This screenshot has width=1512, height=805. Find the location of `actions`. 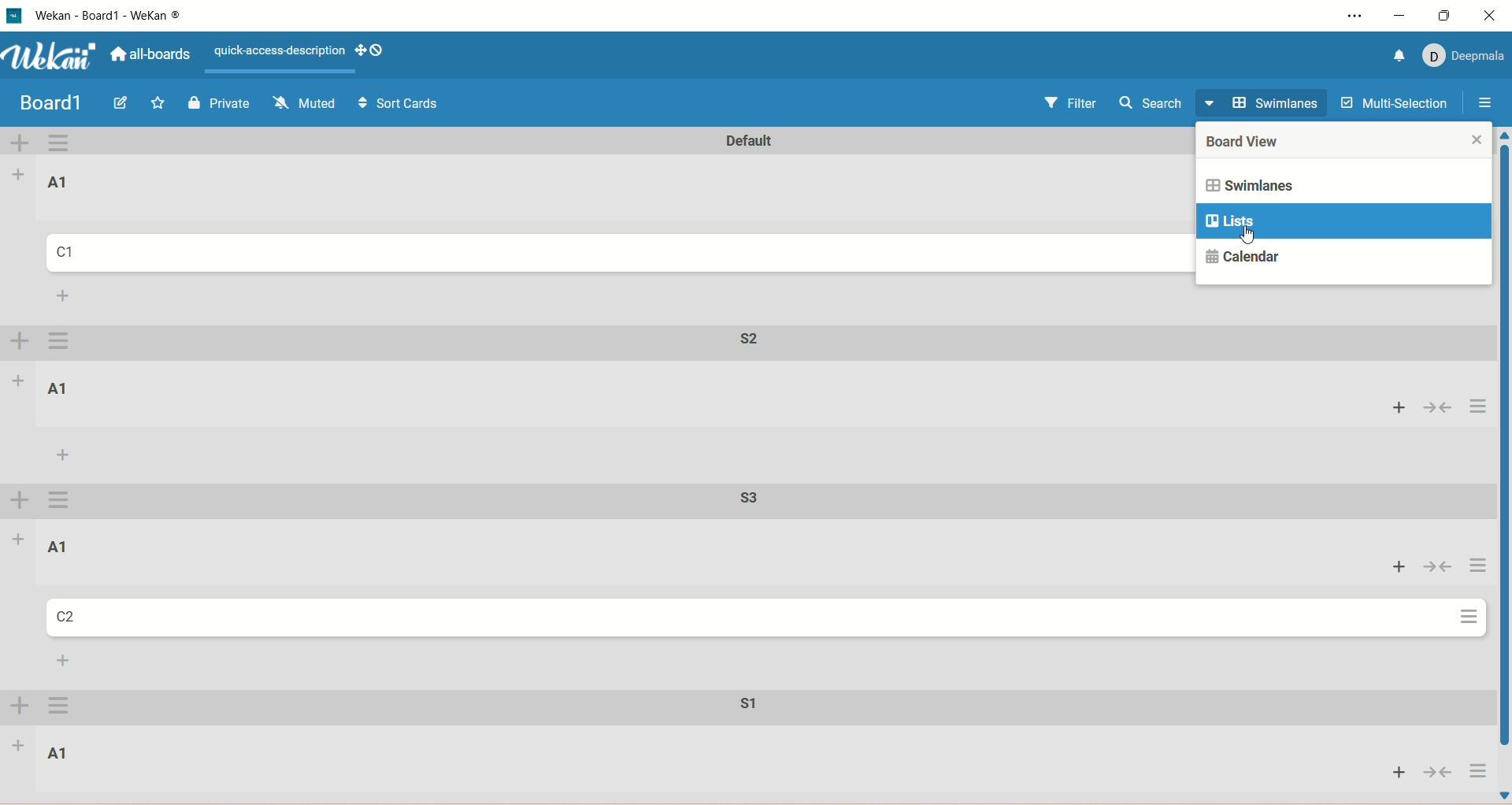

actions is located at coordinates (1477, 771).